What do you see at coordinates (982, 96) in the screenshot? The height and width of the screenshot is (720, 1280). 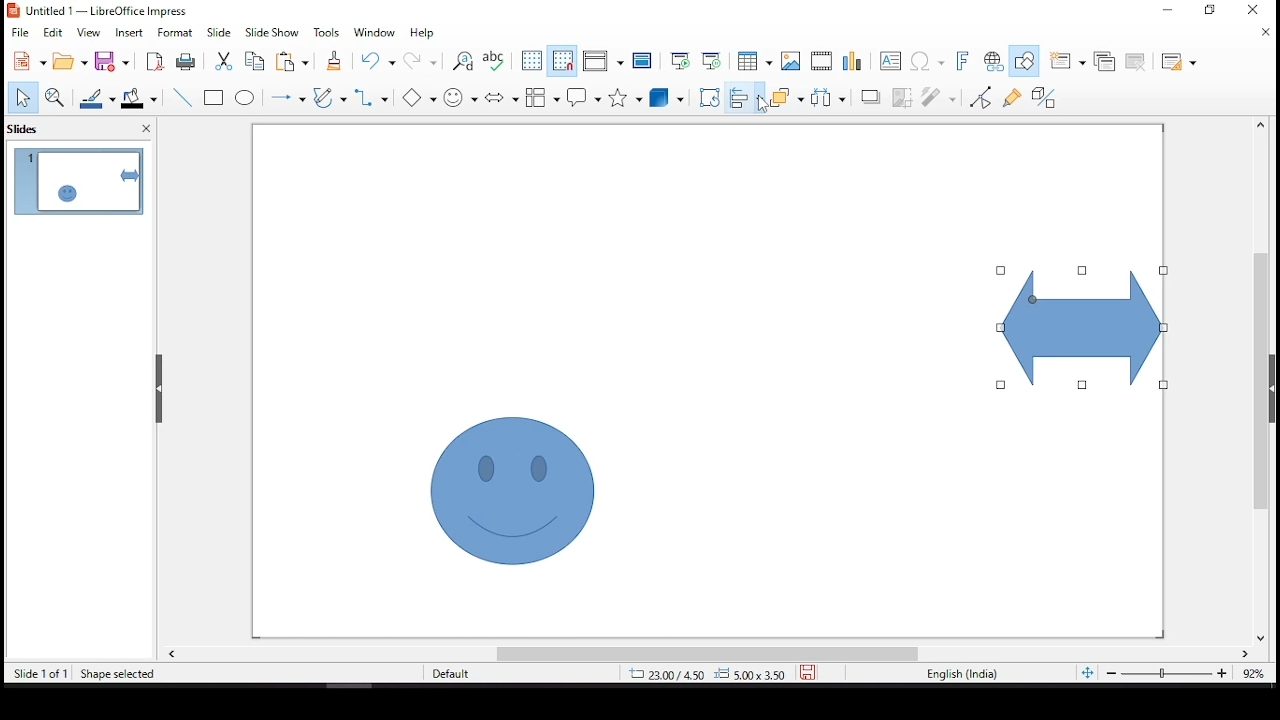 I see `toggle point edit mode` at bounding box center [982, 96].